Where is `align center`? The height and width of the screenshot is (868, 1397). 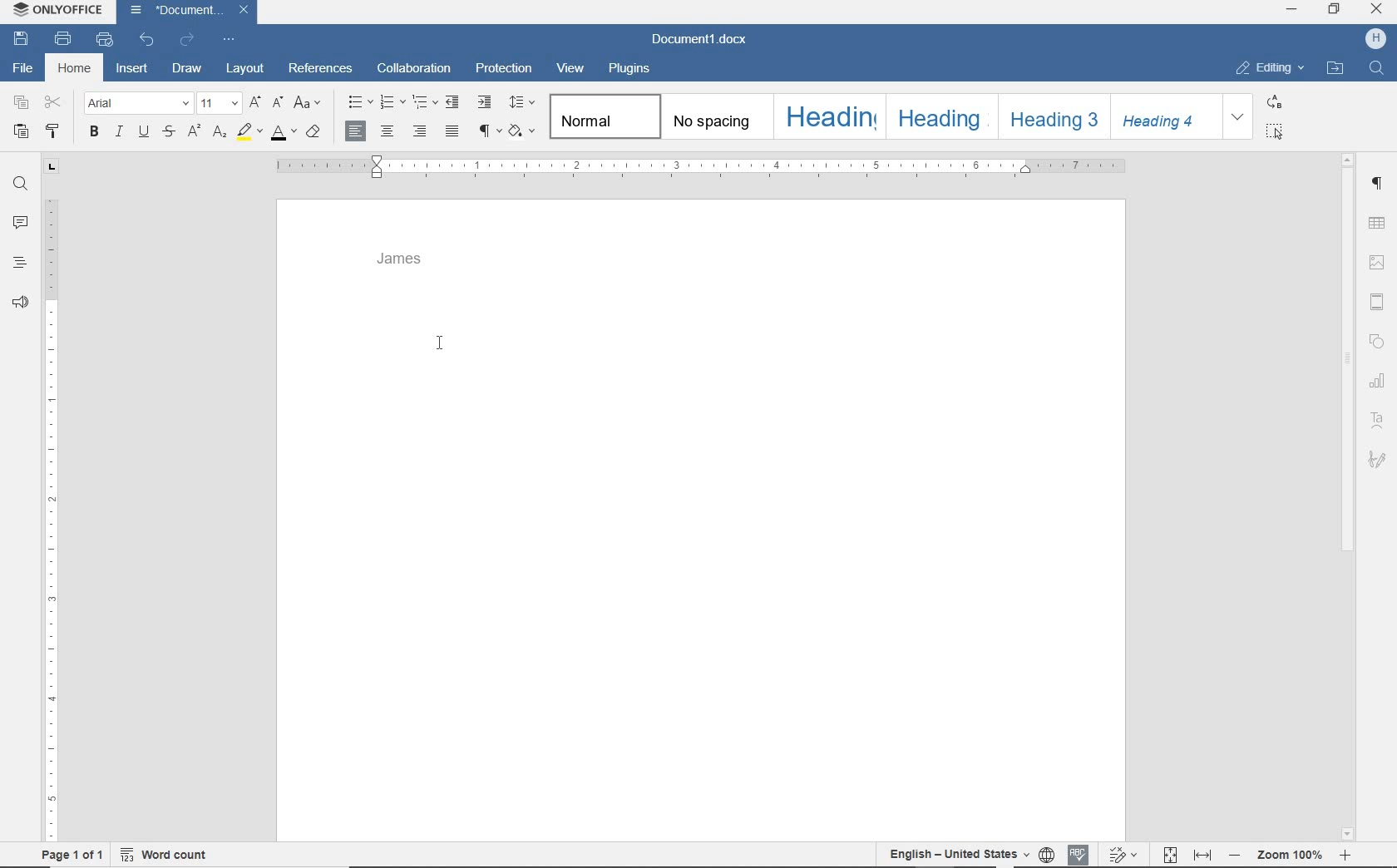 align center is located at coordinates (387, 133).